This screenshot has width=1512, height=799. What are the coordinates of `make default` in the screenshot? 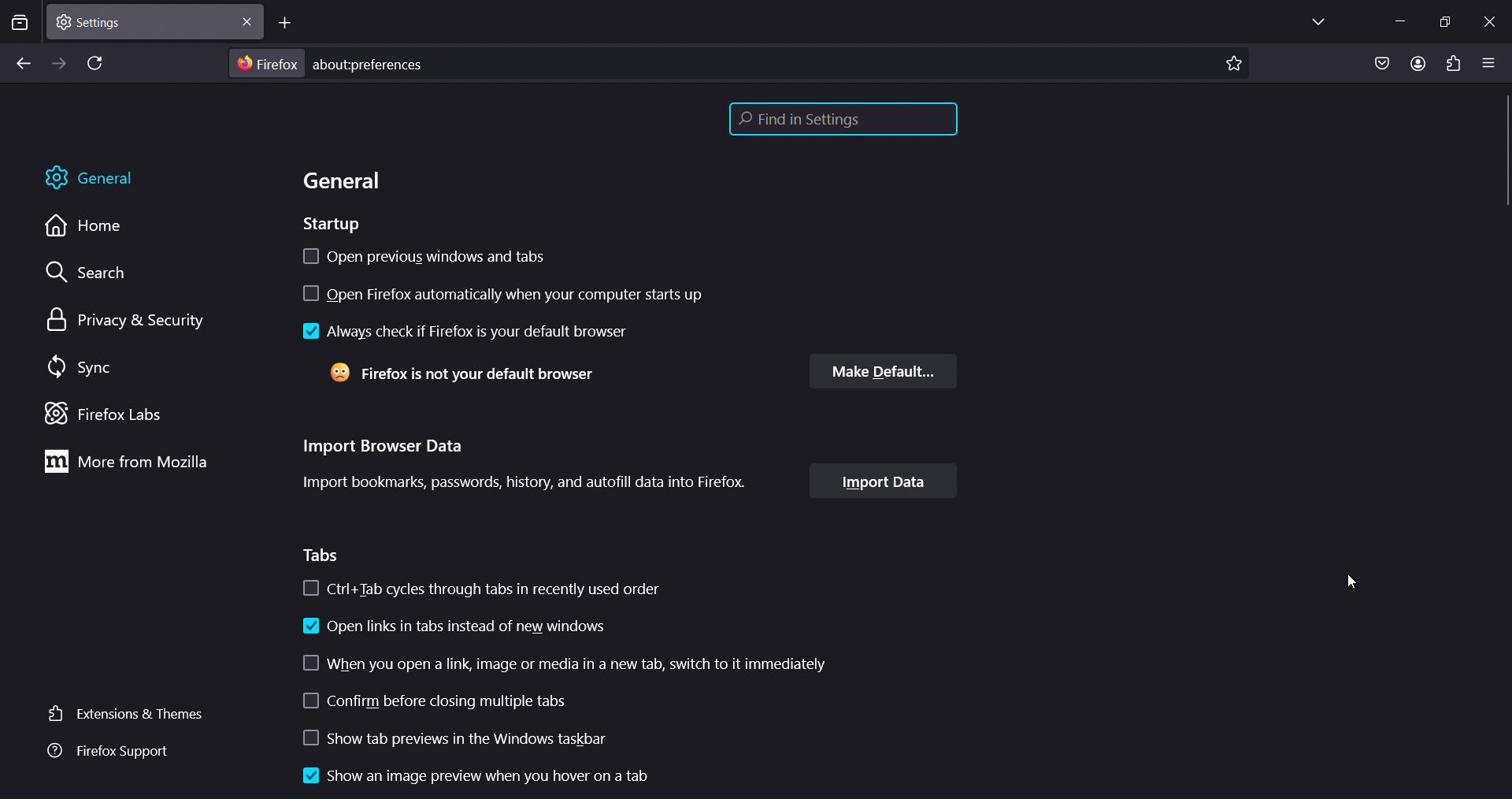 It's located at (881, 370).